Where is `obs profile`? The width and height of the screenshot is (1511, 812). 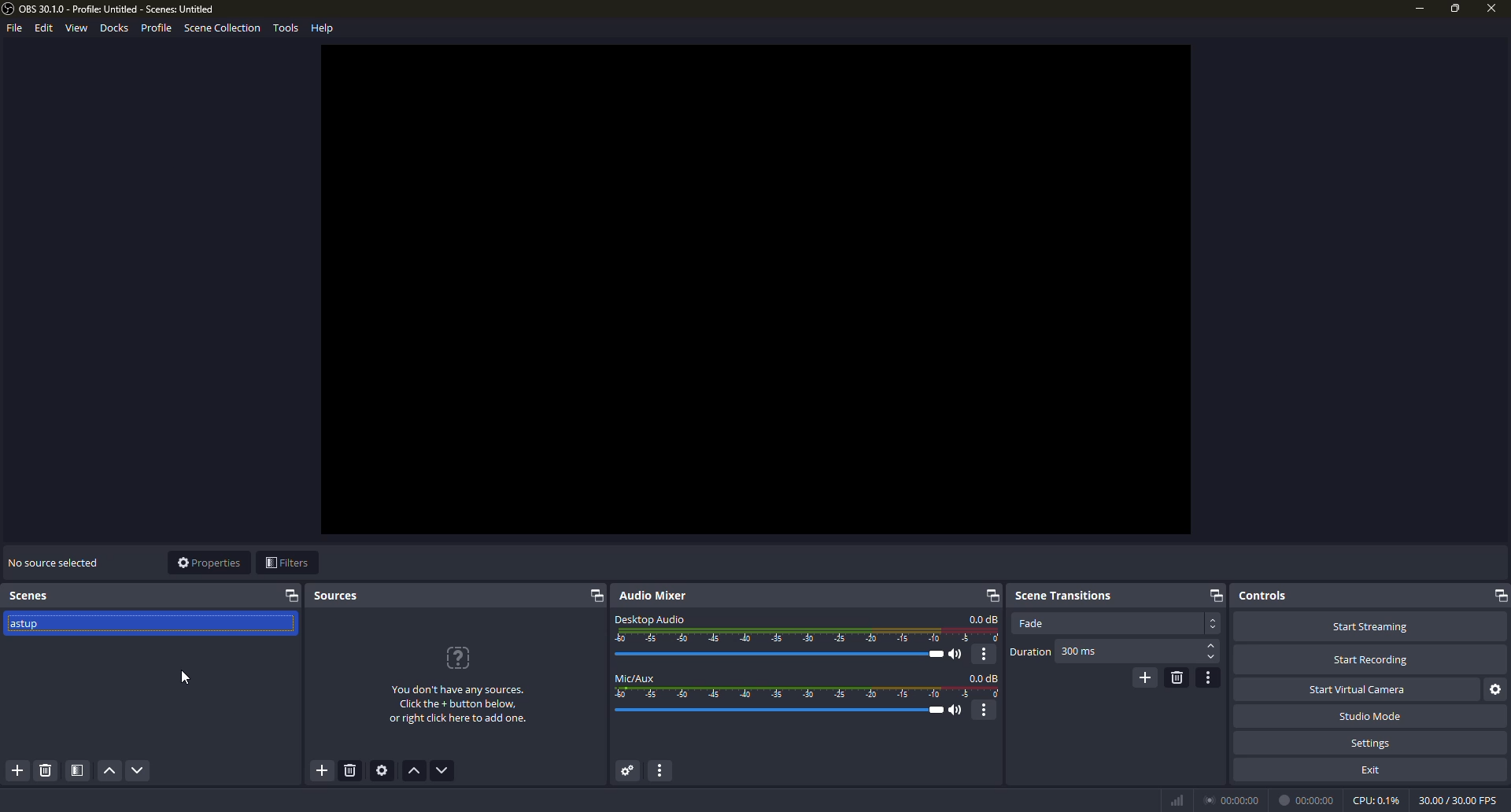
obs profile is located at coordinates (114, 9).